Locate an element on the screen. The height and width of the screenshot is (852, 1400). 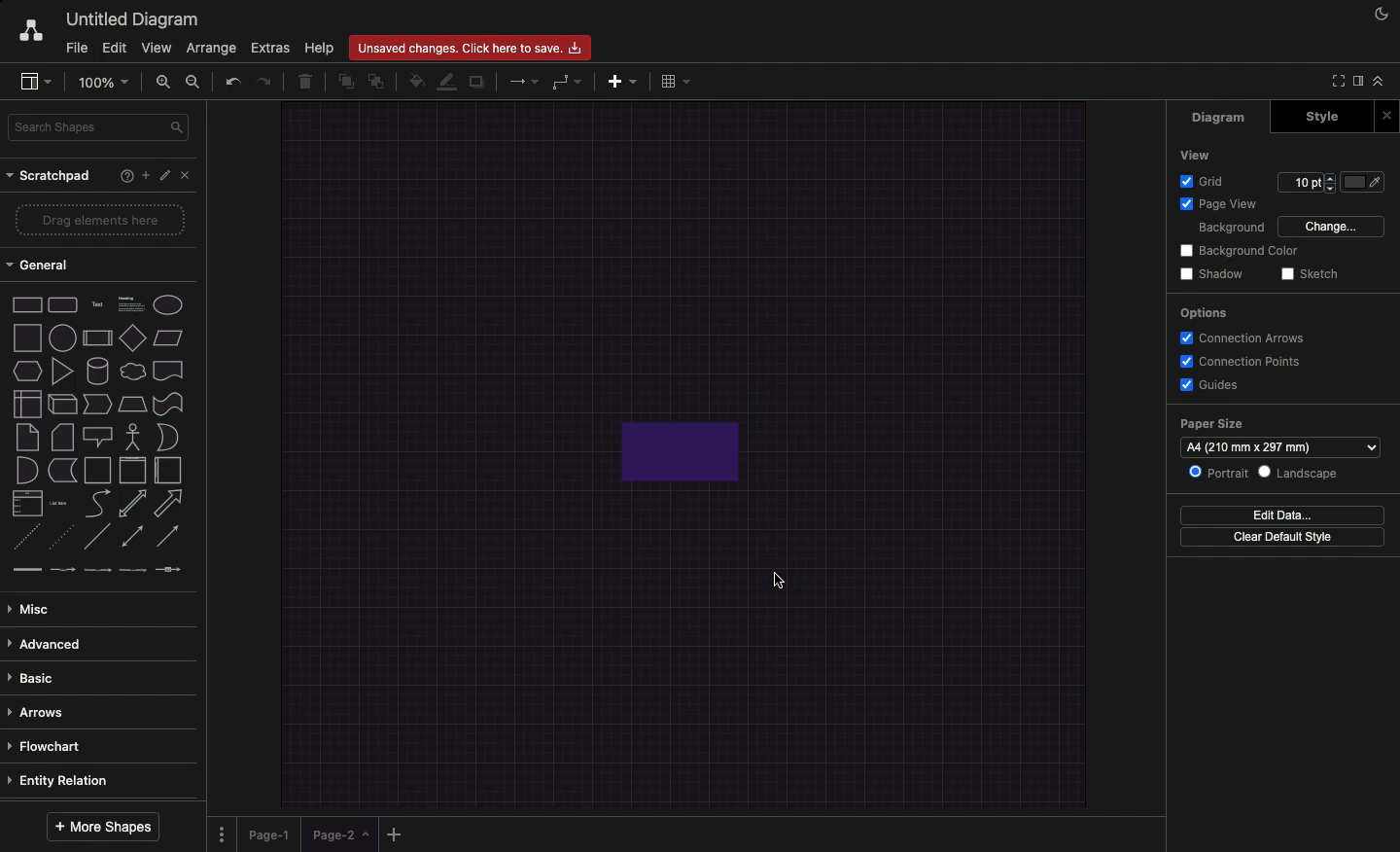
Diagram is located at coordinates (1215, 119).